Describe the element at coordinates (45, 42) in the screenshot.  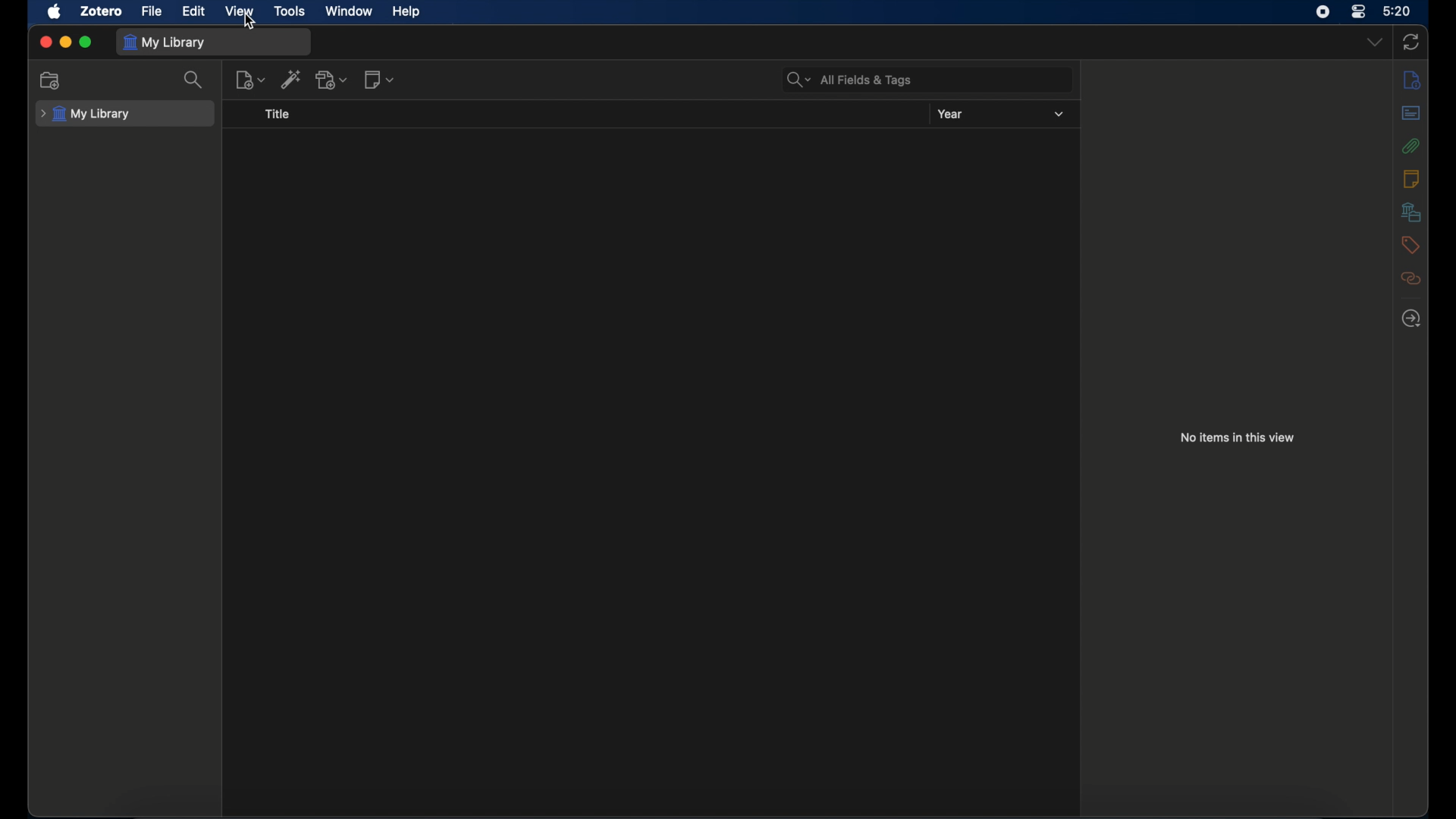
I see `close` at that location.